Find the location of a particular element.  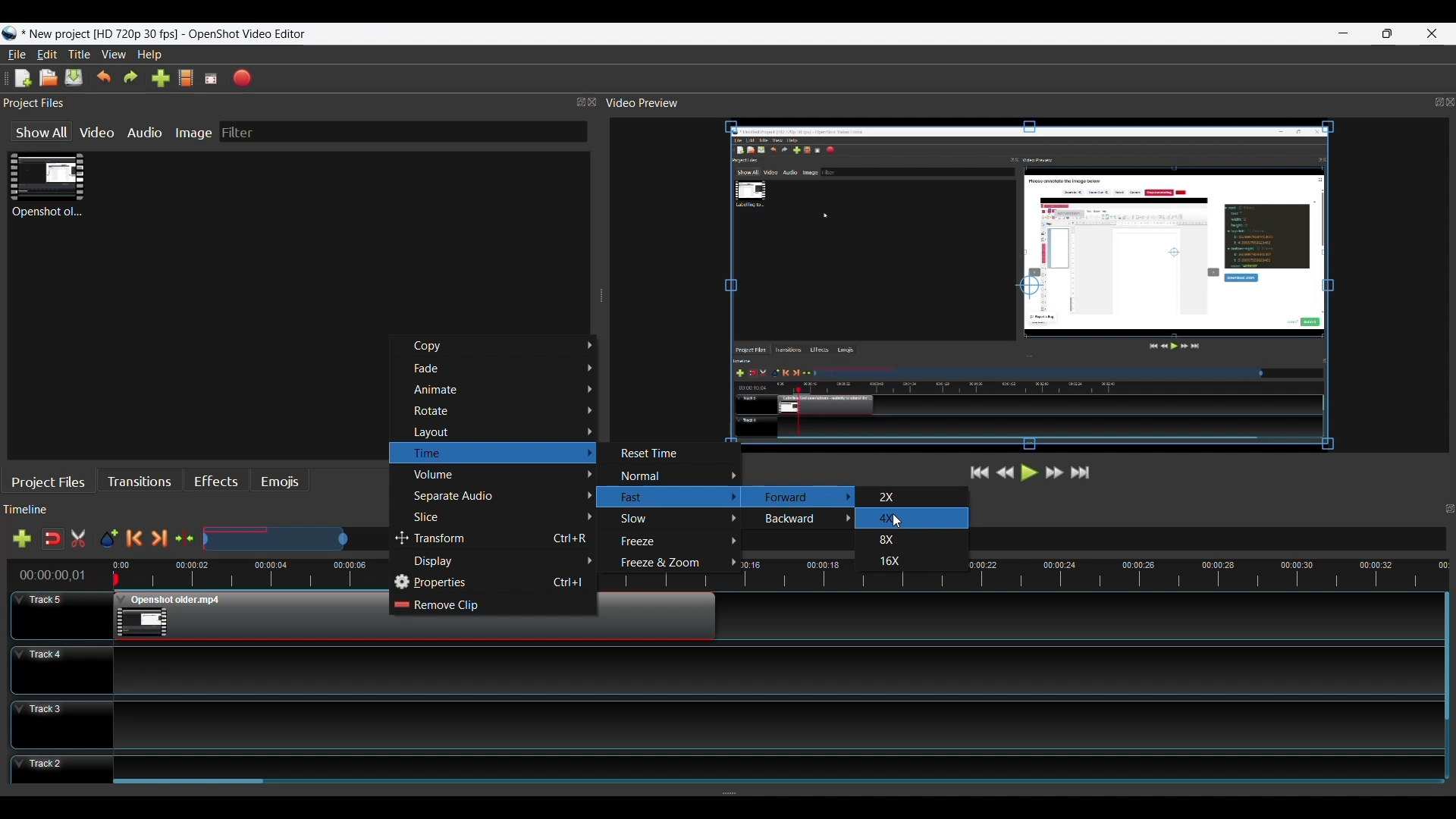

Properties is located at coordinates (494, 583).